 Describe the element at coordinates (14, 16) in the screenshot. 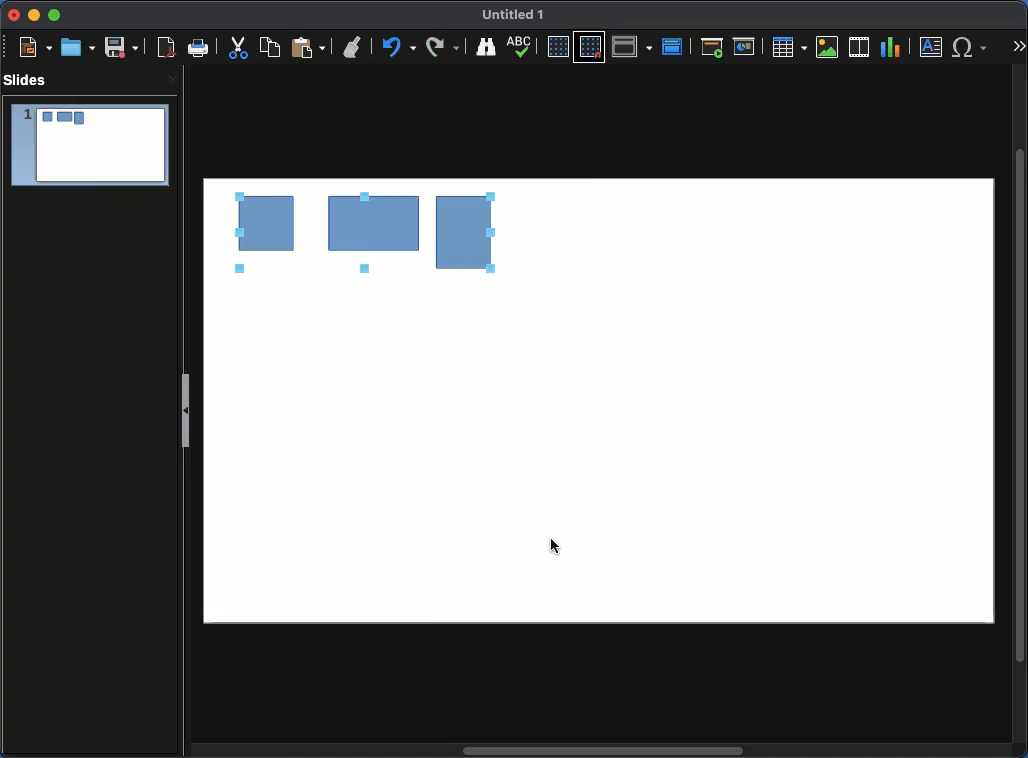

I see `Close` at that location.